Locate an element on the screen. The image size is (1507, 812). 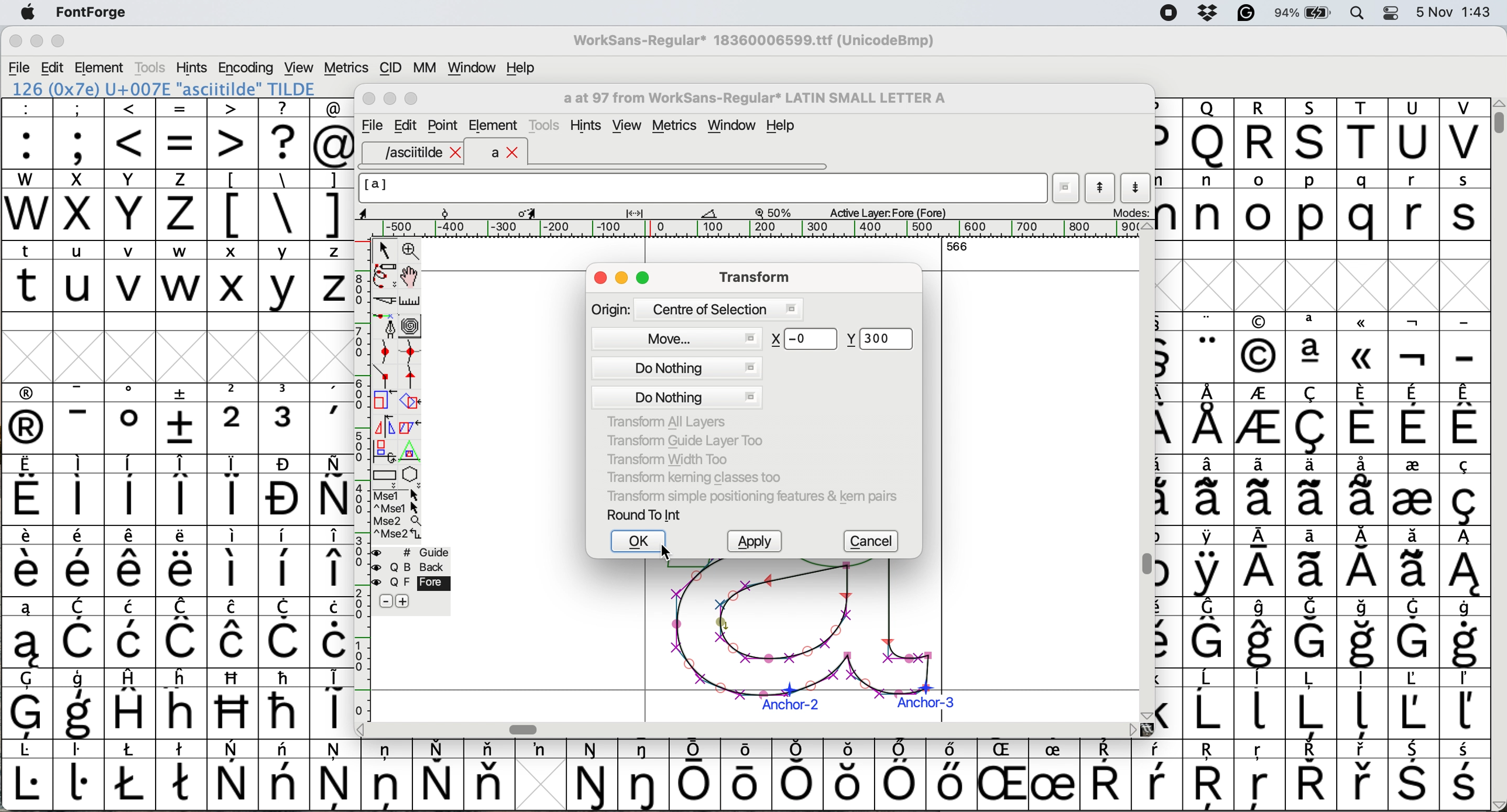
cut splines in two is located at coordinates (386, 302).